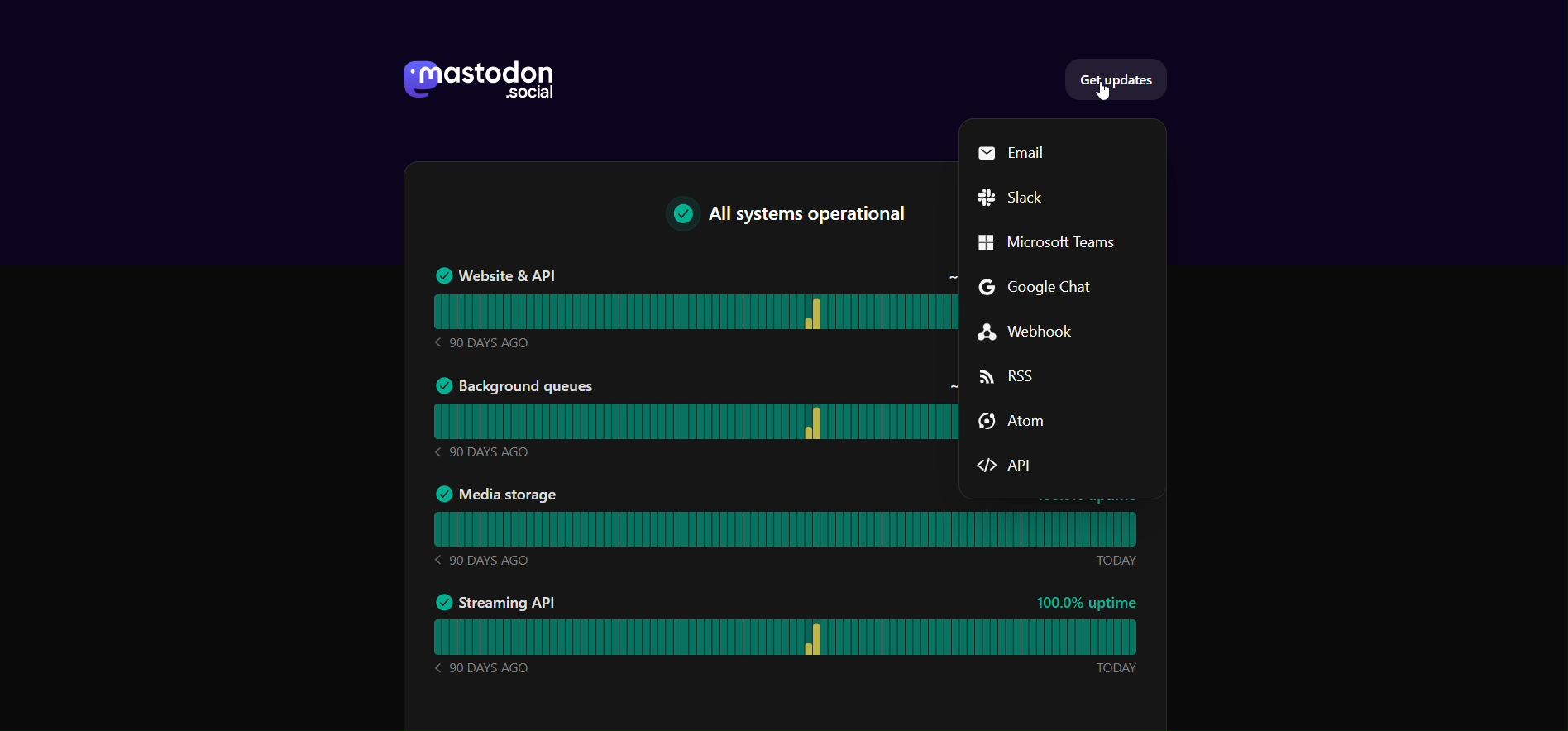 The height and width of the screenshot is (731, 1568). Describe the element at coordinates (1011, 425) in the screenshot. I see `Atom` at that location.